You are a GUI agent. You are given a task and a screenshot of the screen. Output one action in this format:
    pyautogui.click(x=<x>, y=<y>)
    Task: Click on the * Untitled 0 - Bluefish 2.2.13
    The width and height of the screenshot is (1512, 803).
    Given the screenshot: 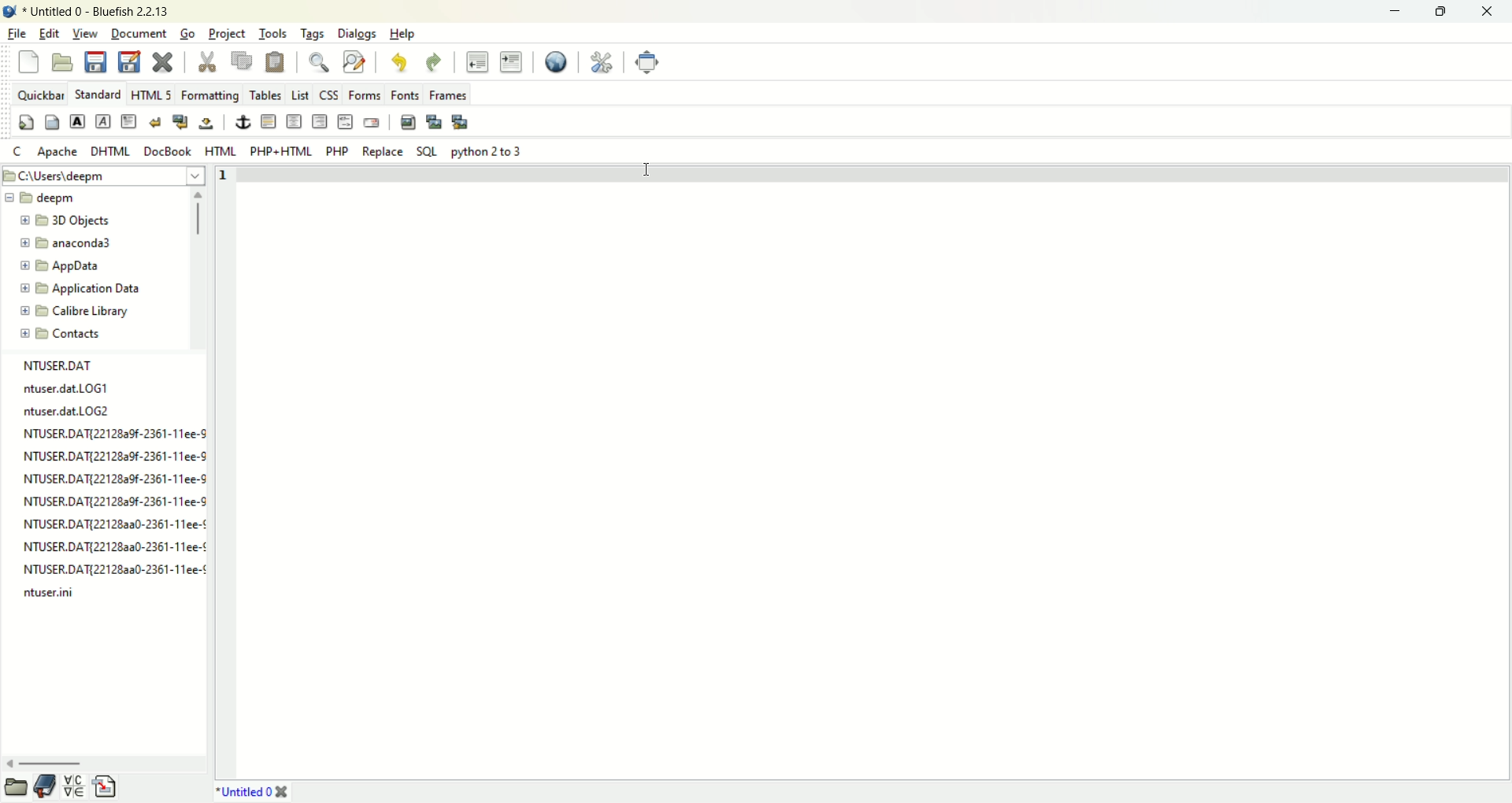 What is the action you would take?
    pyautogui.click(x=95, y=12)
    